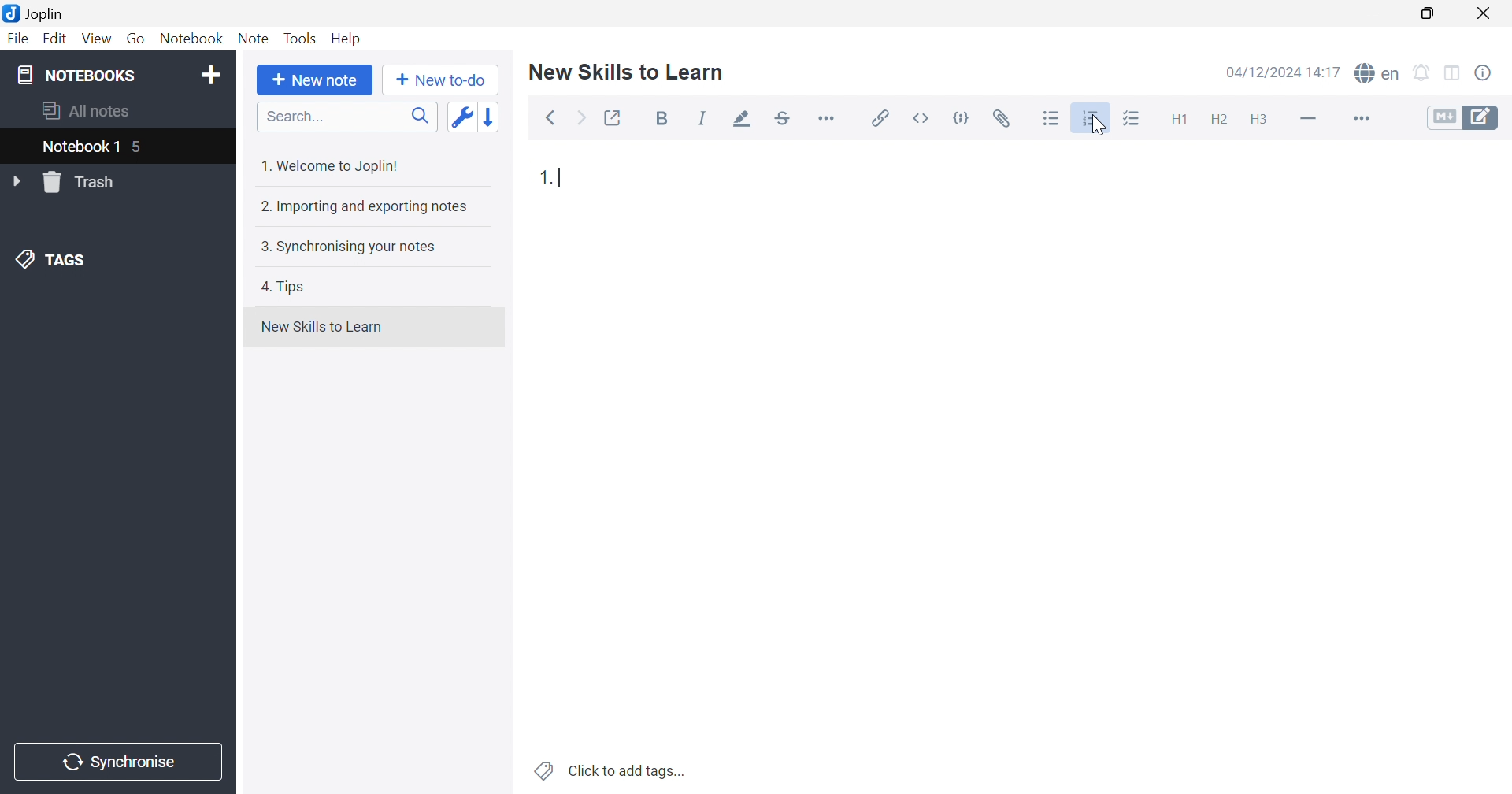  I want to click on 2. Importing and exporting notes, so click(362, 206).